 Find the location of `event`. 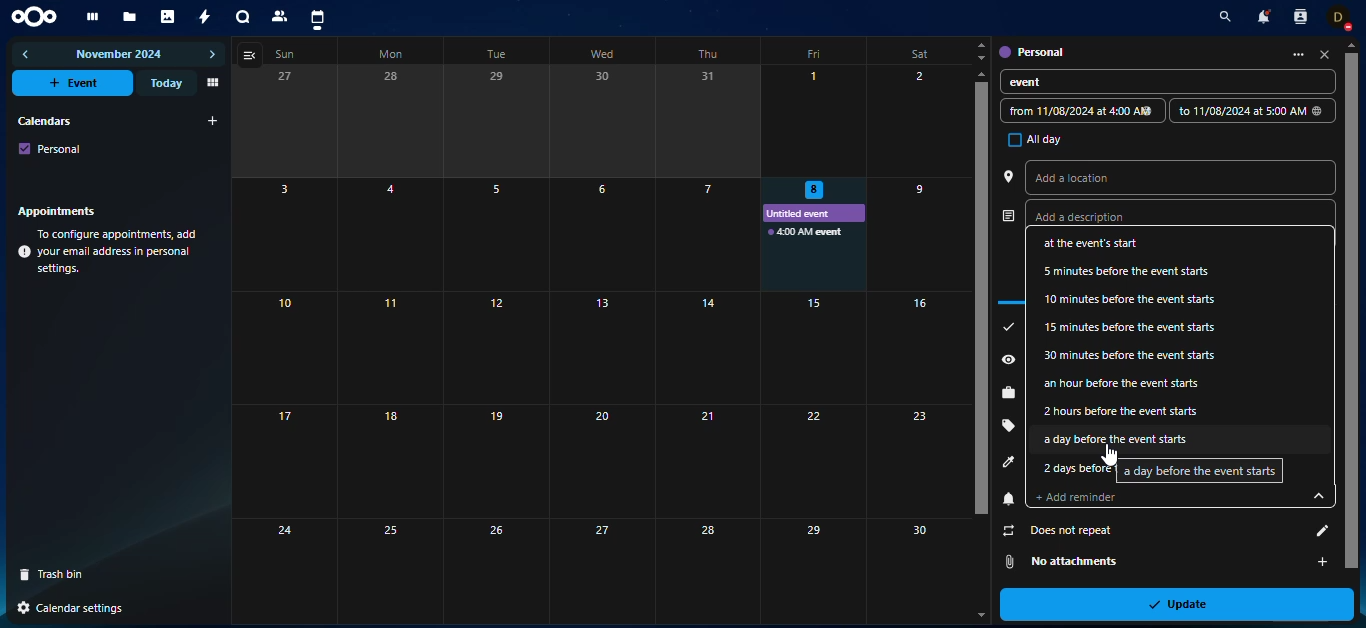

event is located at coordinates (1045, 83).